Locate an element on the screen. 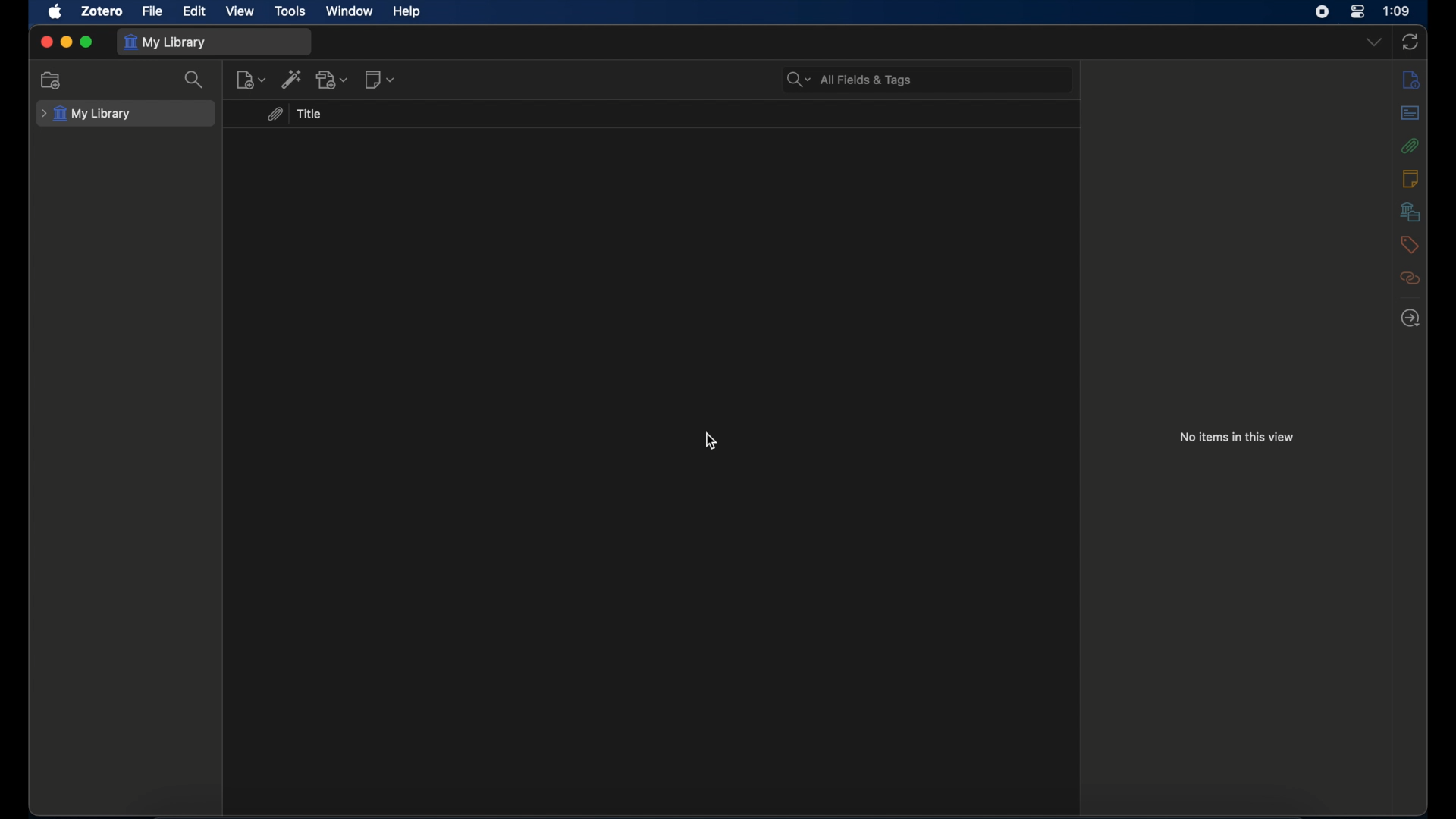  maximize is located at coordinates (87, 42).